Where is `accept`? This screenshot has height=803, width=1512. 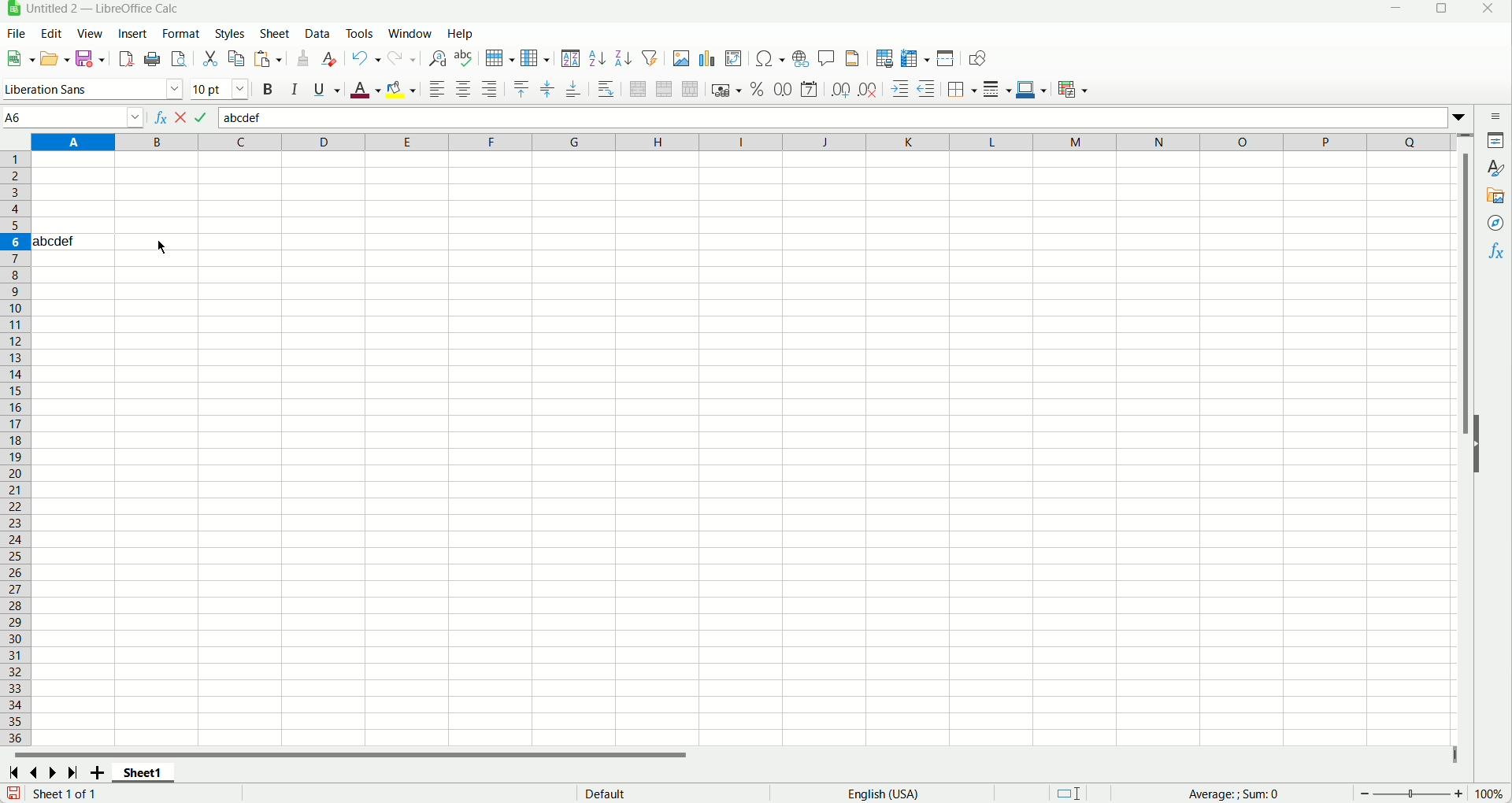 accept is located at coordinates (203, 117).